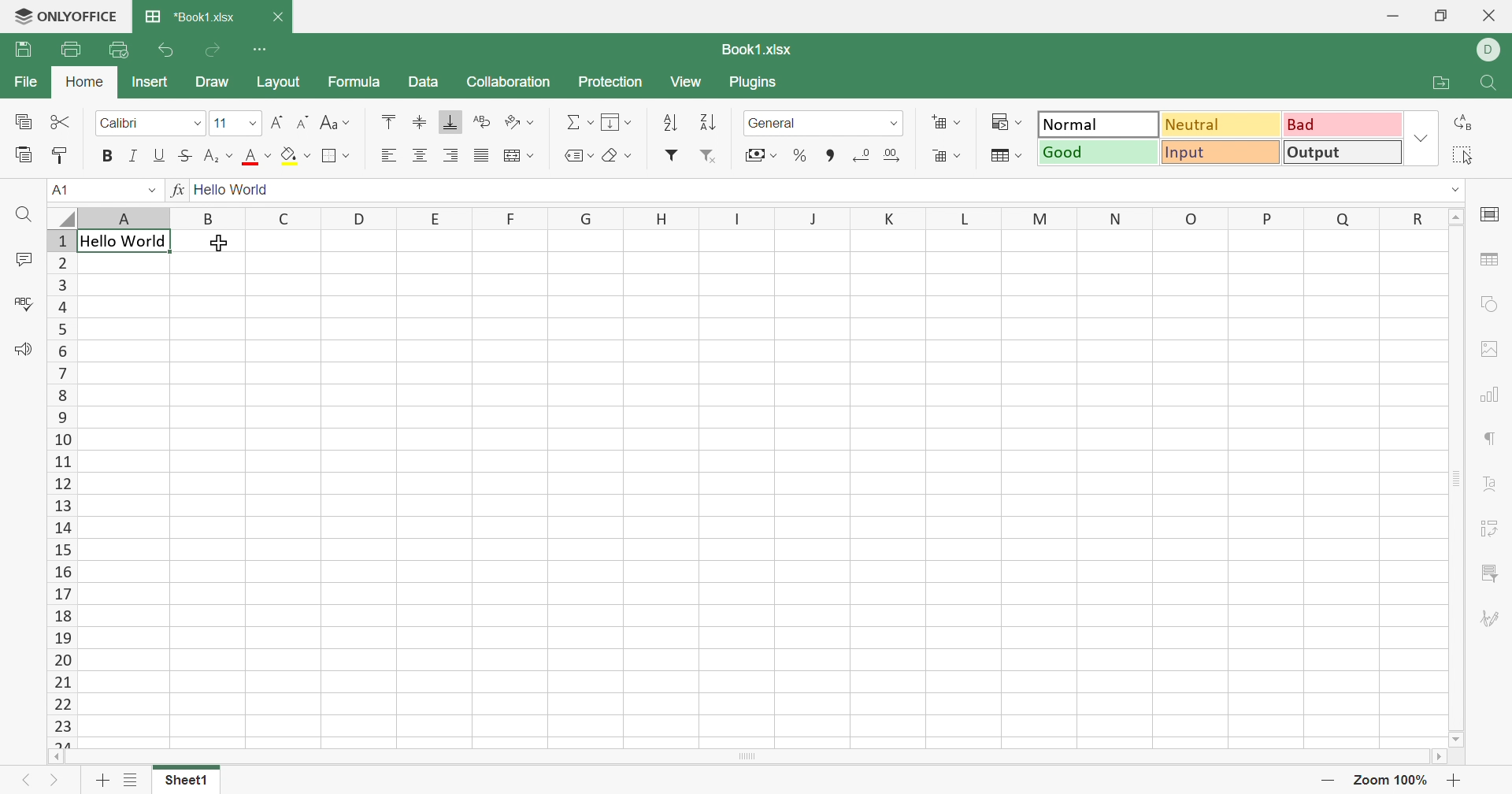 Image resolution: width=1512 pixels, height=794 pixels. Describe the element at coordinates (423, 82) in the screenshot. I see `Data` at that location.